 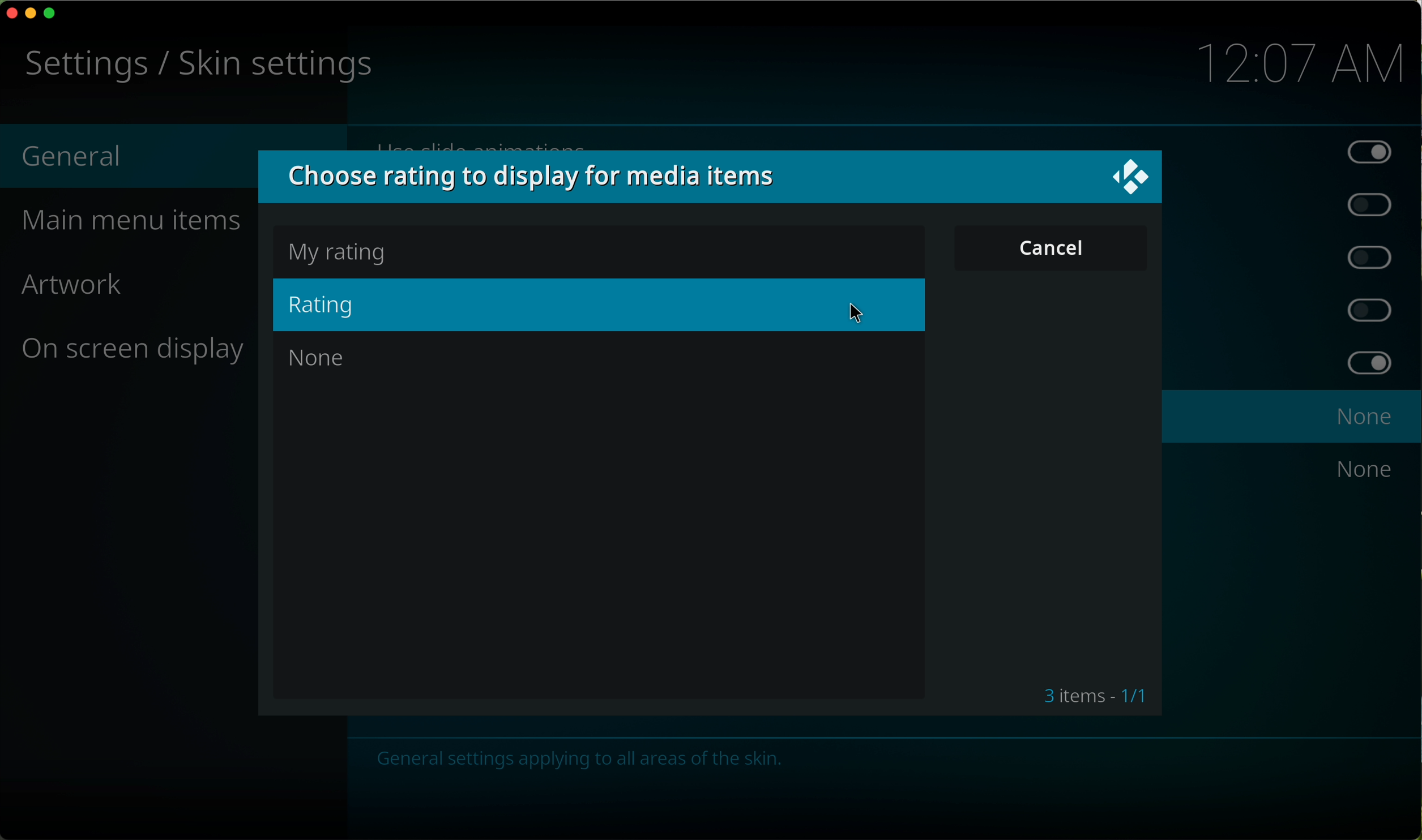 What do you see at coordinates (31, 17) in the screenshot?
I see `minimize` at bounding box center [31, 17].